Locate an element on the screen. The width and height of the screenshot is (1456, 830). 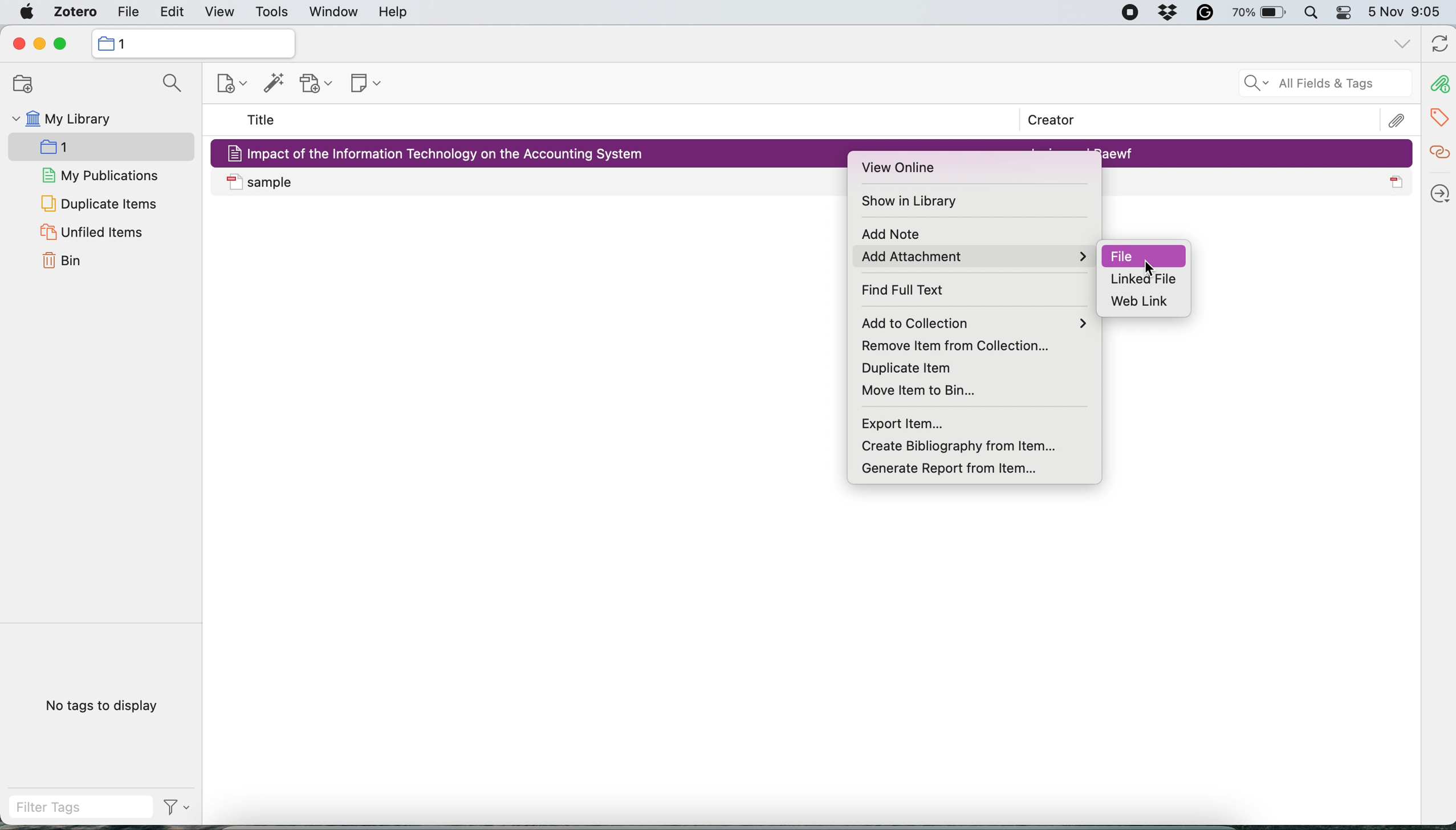
my library is located at coordinates (60, 121).